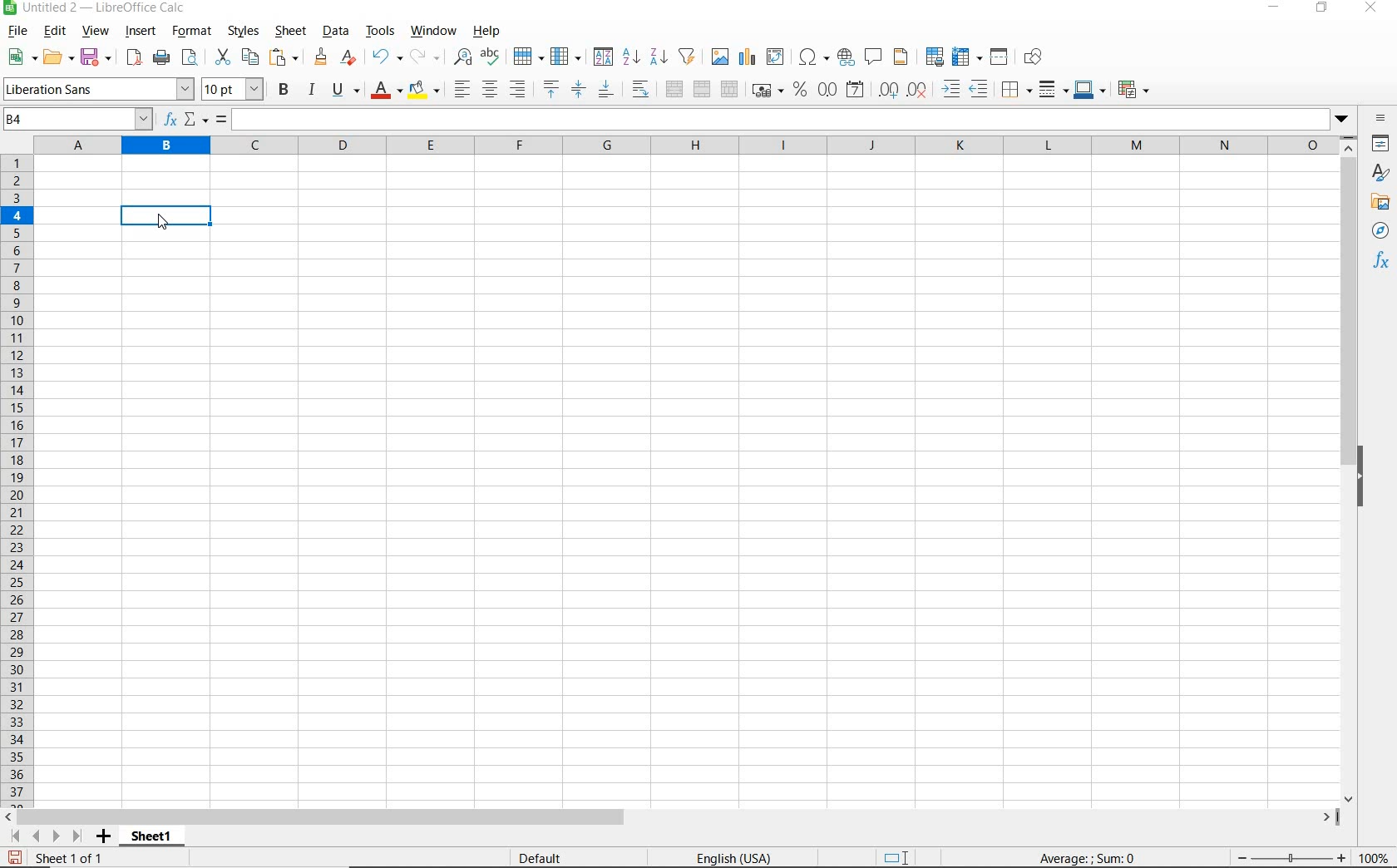 The image size is (1397, 868). What do you see at coordinates (423, 57) in the screenshot?
I see `redo` at bounding box center [423, 57].